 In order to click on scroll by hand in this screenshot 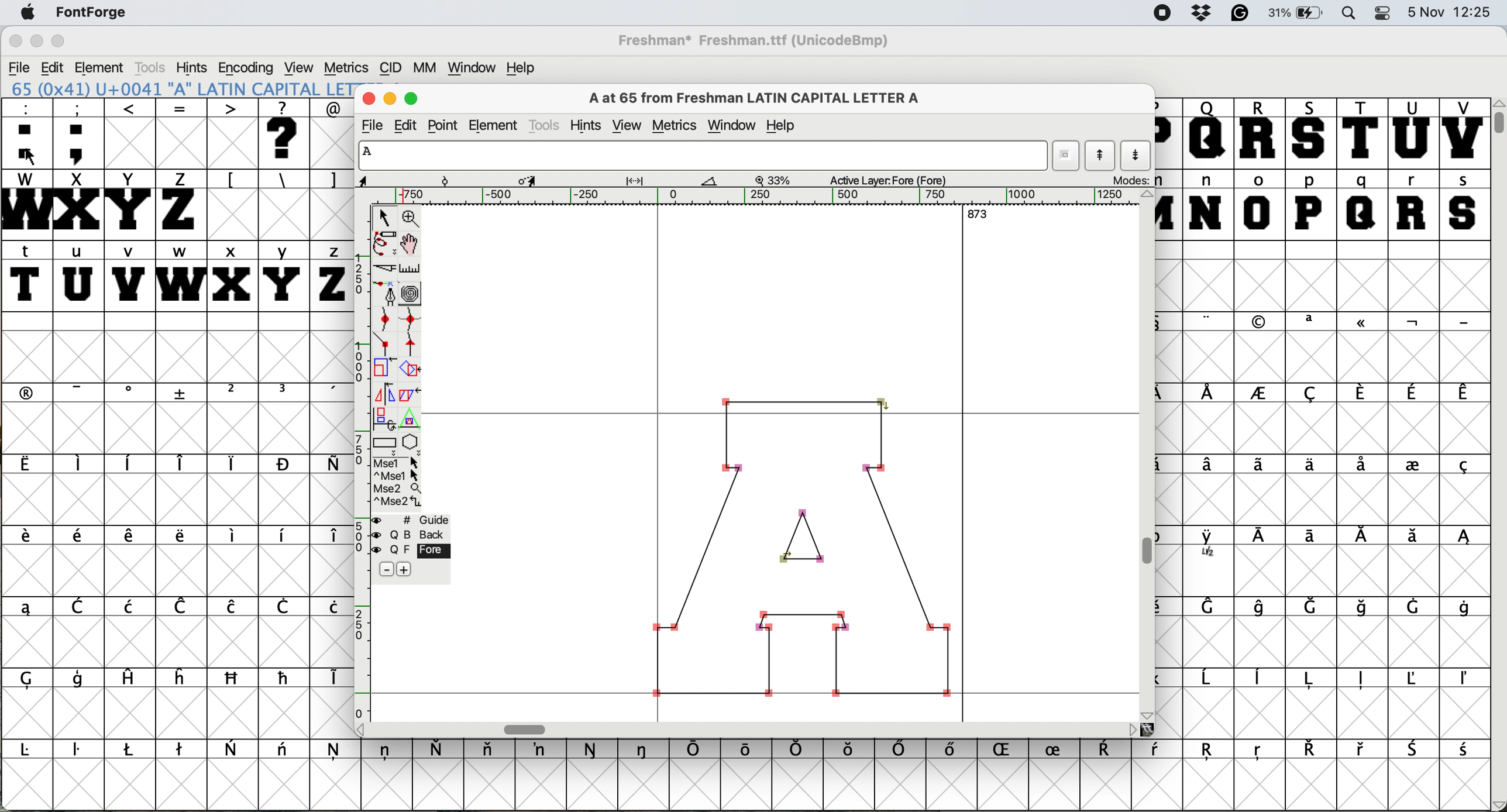, I will do `click(414, 241)`.